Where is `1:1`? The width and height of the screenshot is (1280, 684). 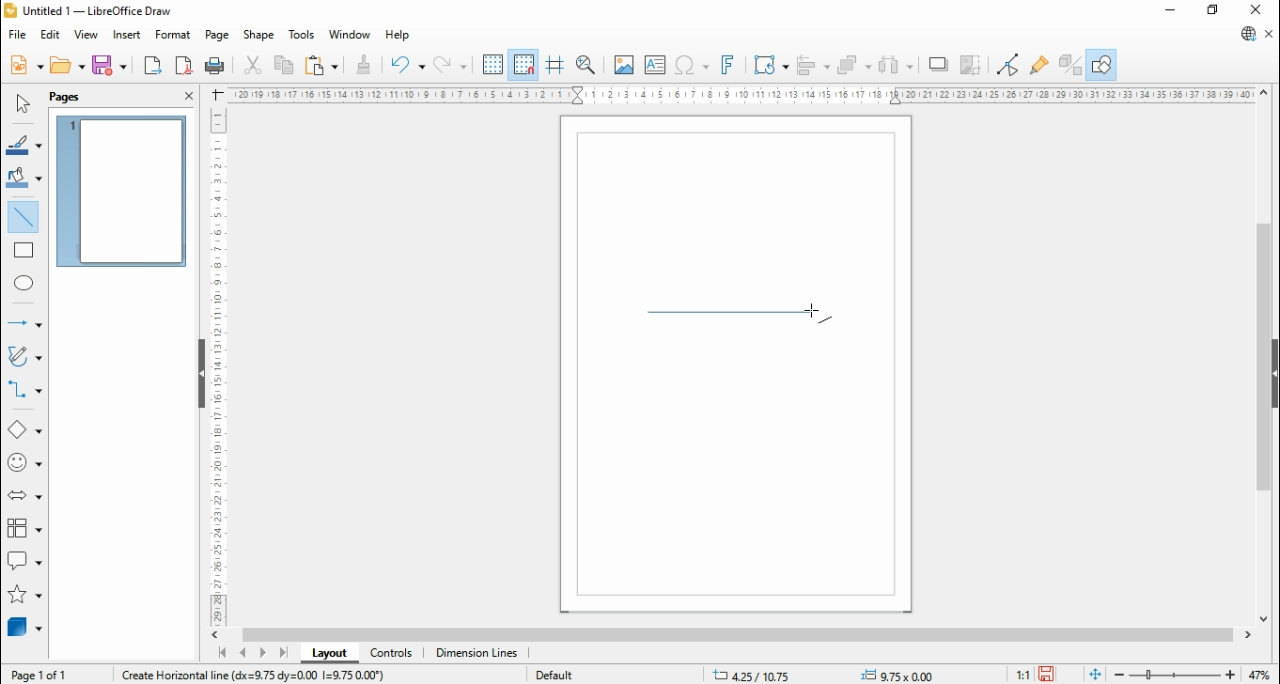 1:1 is located at coordinates (1021, 675).